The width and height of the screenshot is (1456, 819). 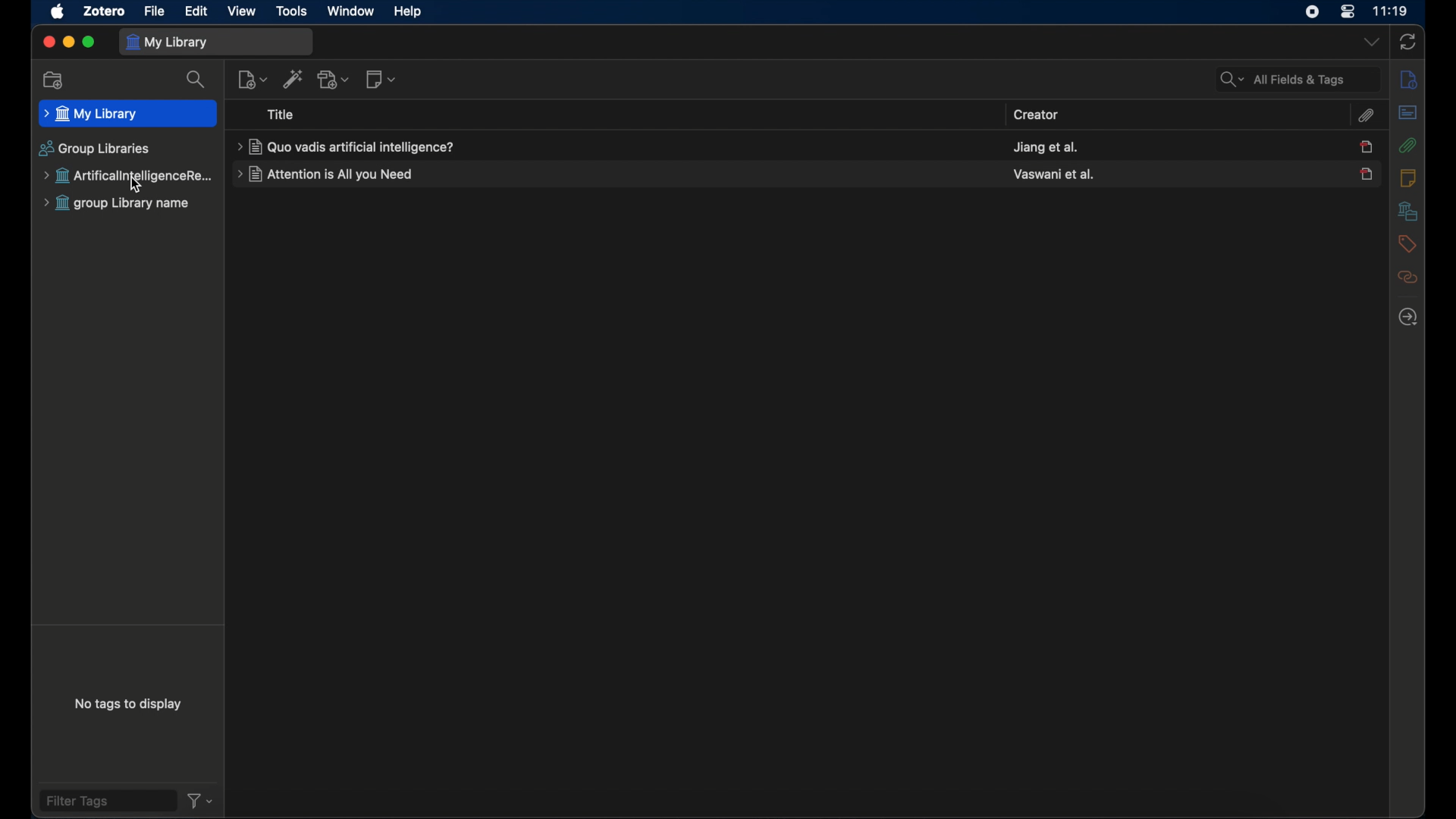 What do you see at coordinates (200, 801) in the screenshot?
I see `filter dropdown` at bounding box center [200, 801].